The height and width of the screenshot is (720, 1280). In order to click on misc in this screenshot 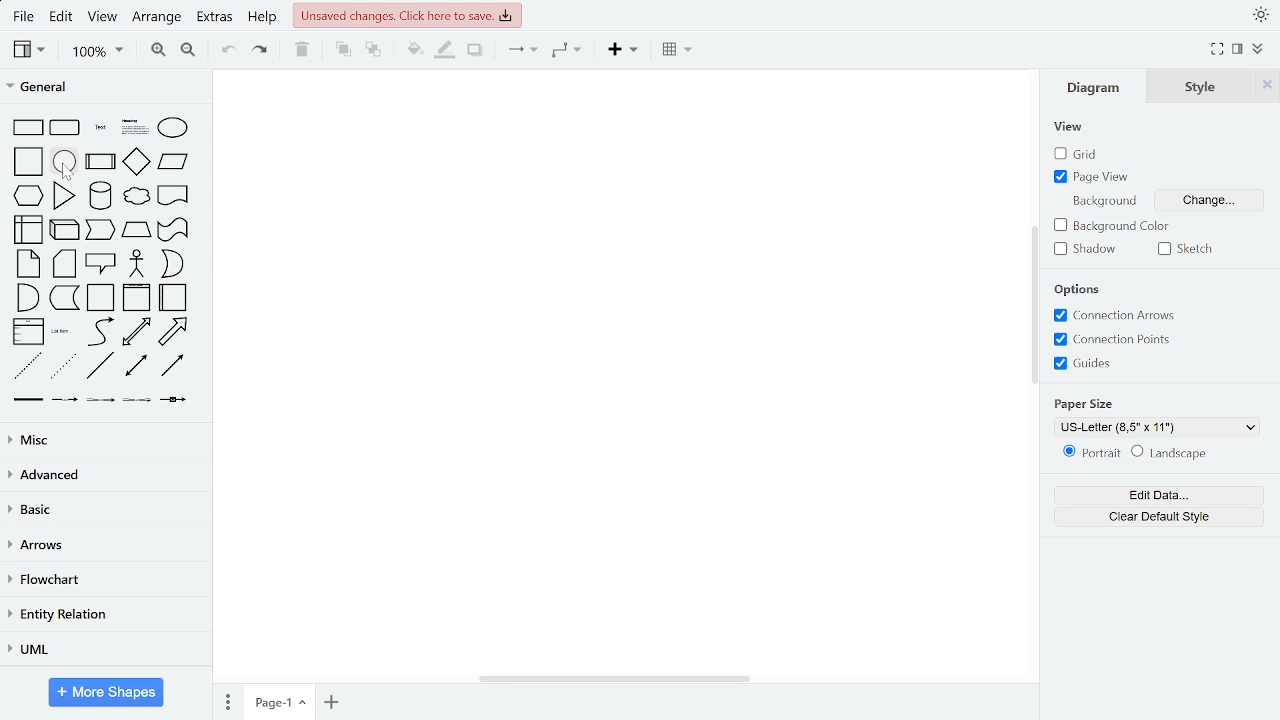, I will do `click(103, 441)`.